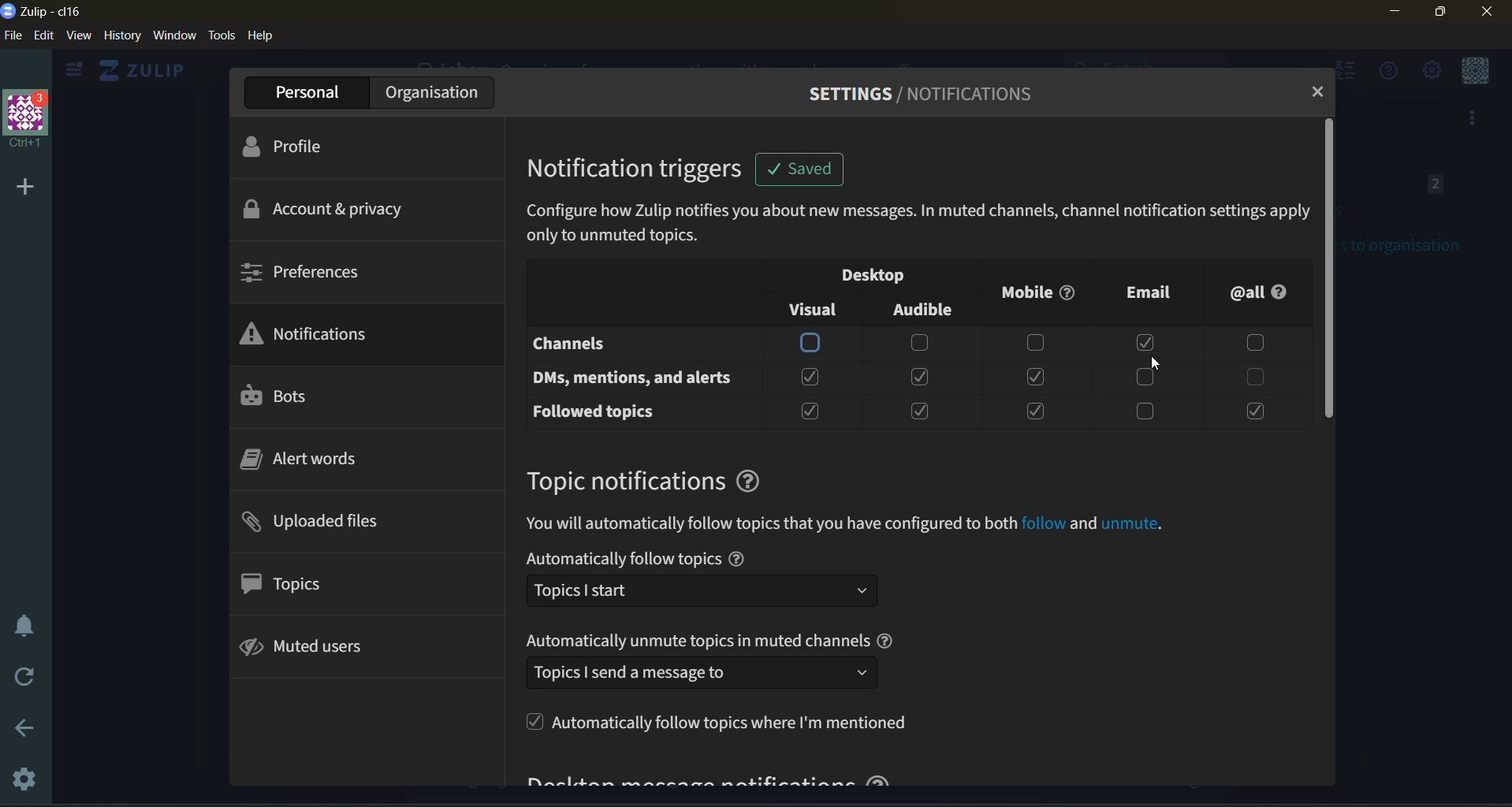 The width and height of the screenshot is (1512, 807). What do you see at coordinates (1145, 413) in the screenshot?
I see `checkbox` at bounding box center [1145, 413].